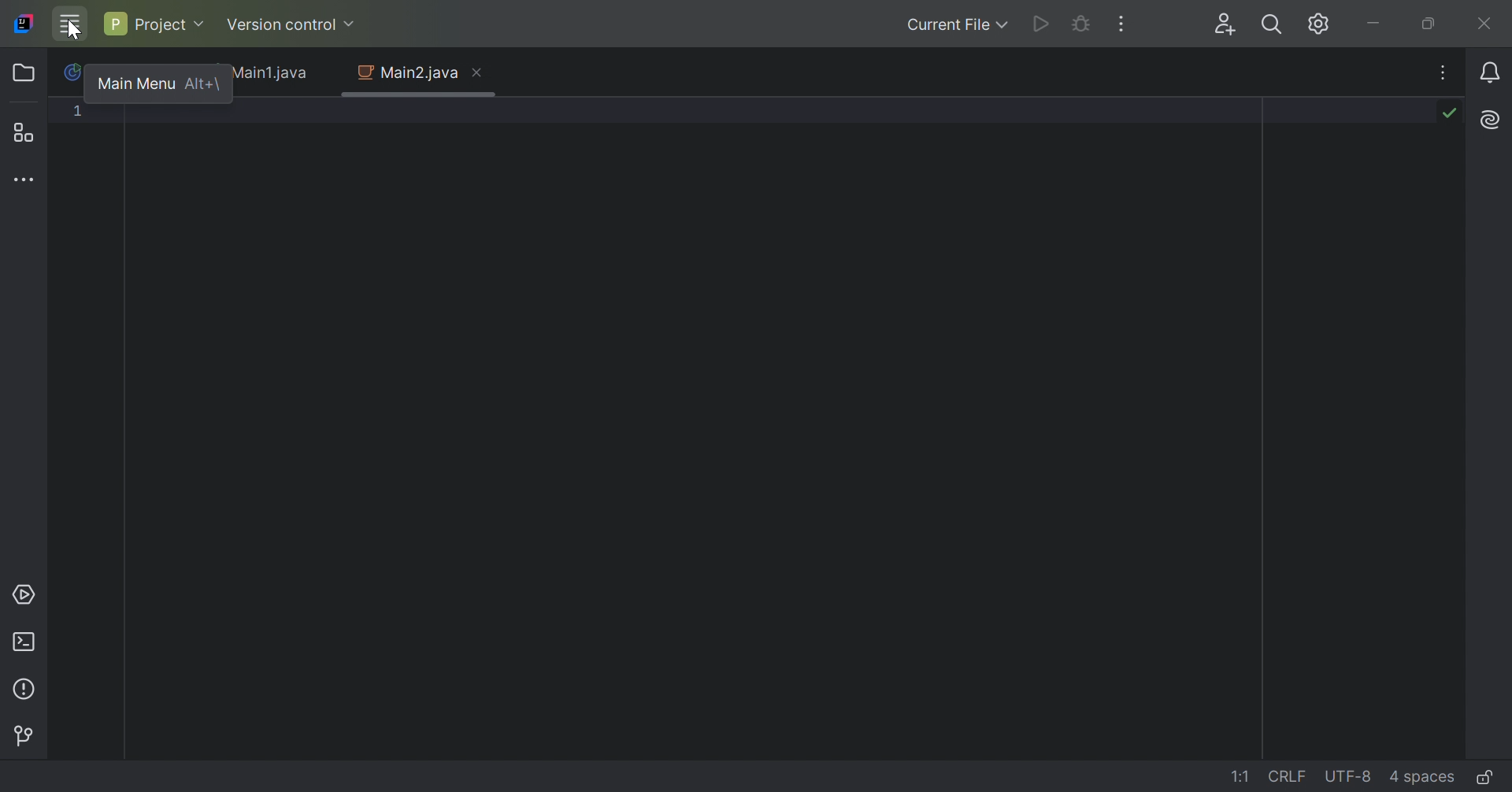  What do you see at coordinates (26, 594) in the screenshot?
I see `Services` at bounding box center [26, 594].